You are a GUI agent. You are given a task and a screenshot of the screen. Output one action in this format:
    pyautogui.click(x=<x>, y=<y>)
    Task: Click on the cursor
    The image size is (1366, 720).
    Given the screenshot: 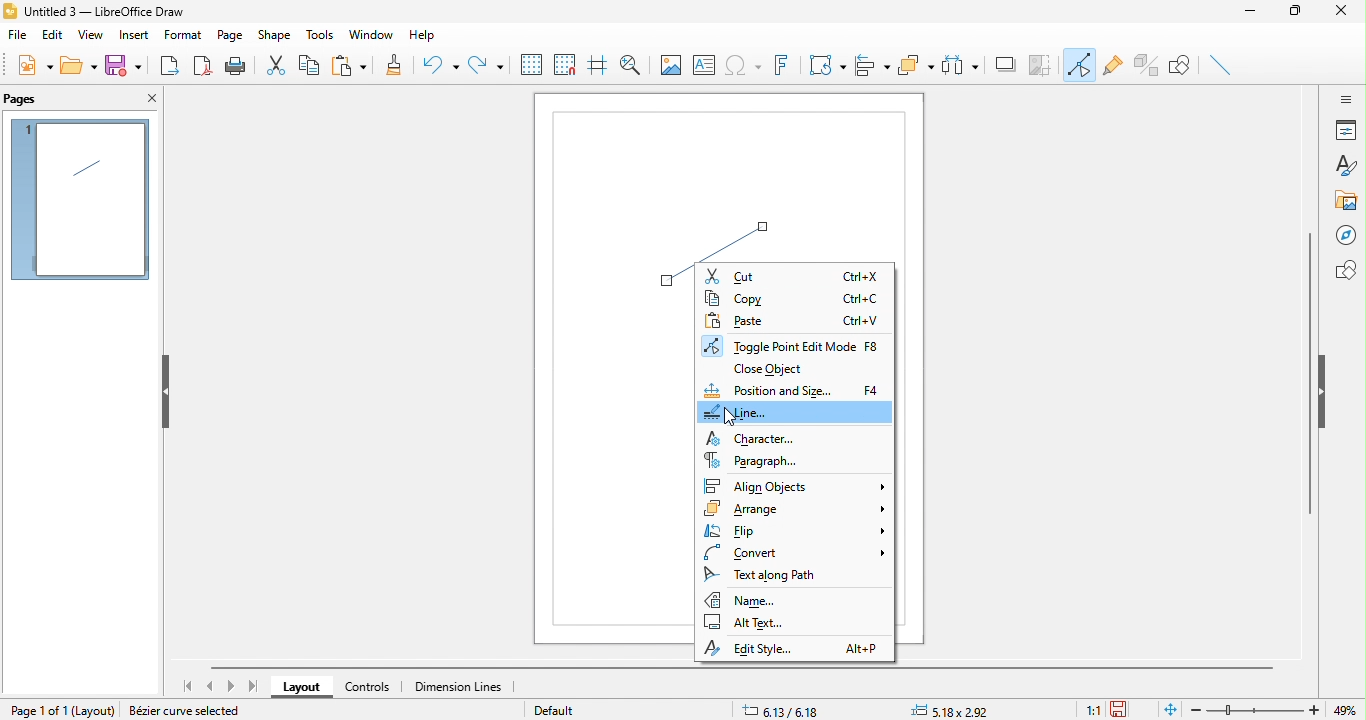 What is the action you would take?
    pyautogui.click(x=726, y=421)
    